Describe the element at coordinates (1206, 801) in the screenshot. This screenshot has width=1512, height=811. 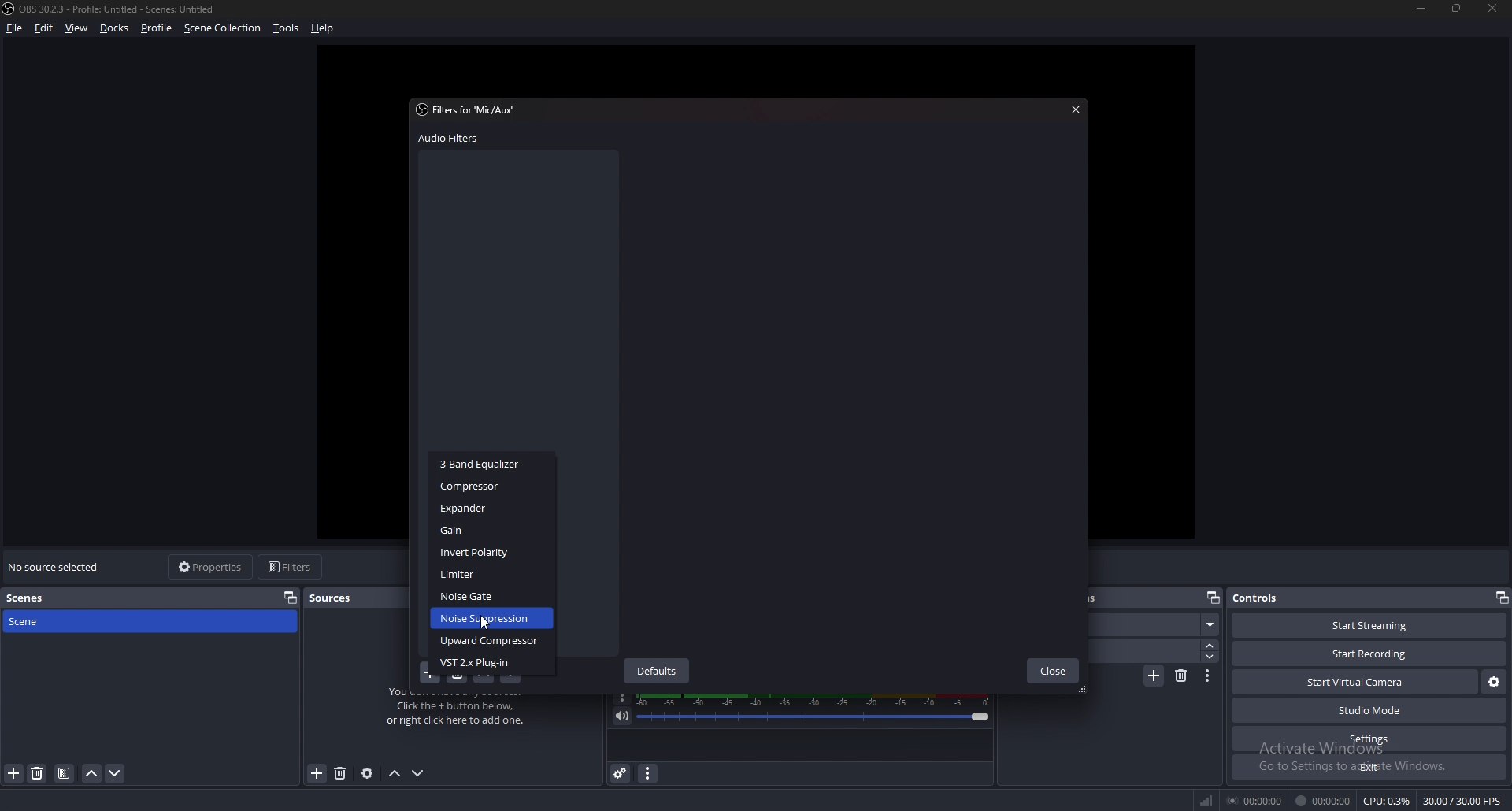
I see `network` at that location.